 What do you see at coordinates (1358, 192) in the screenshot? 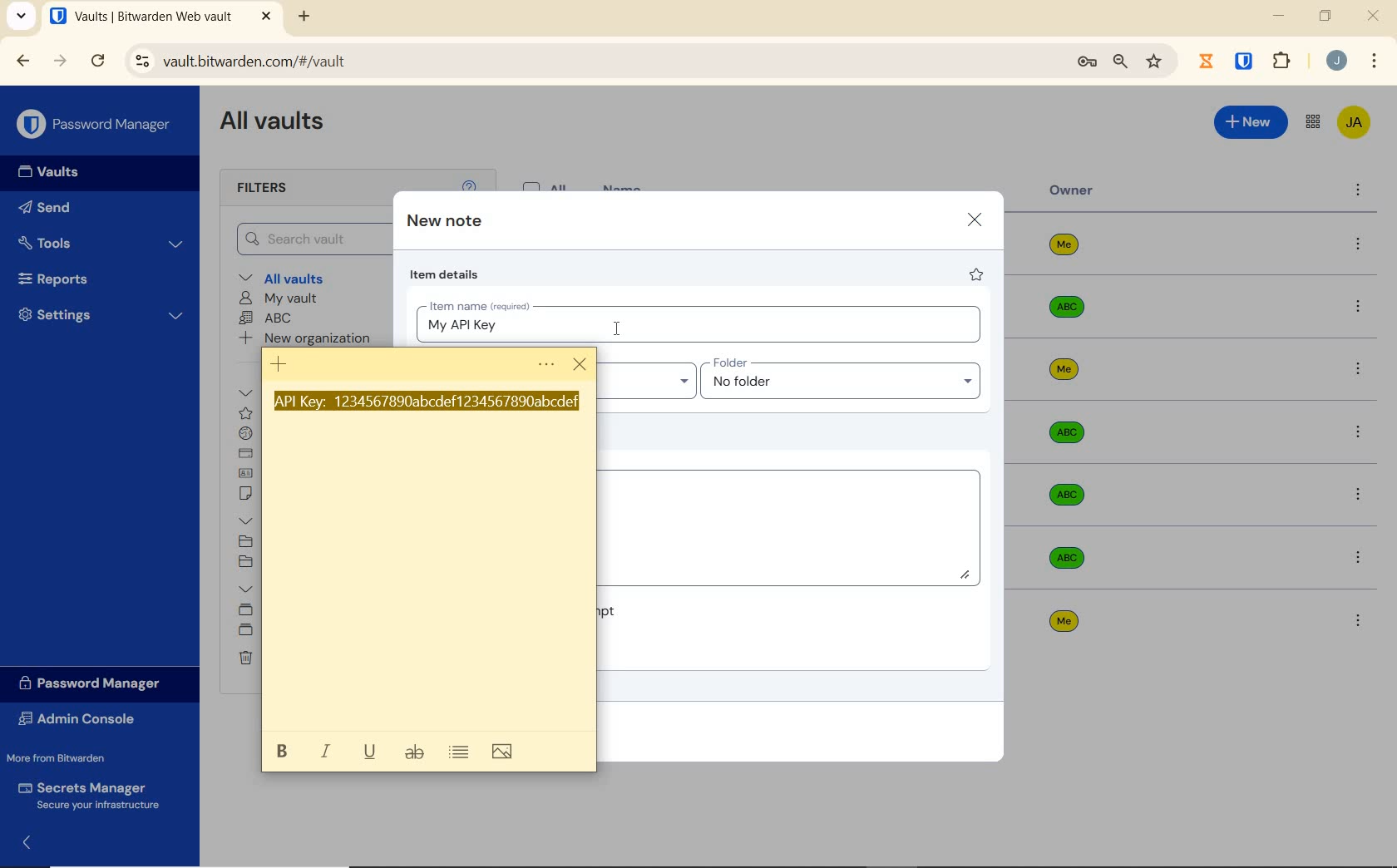
I see `more options` at bounding box center [1358, 192].